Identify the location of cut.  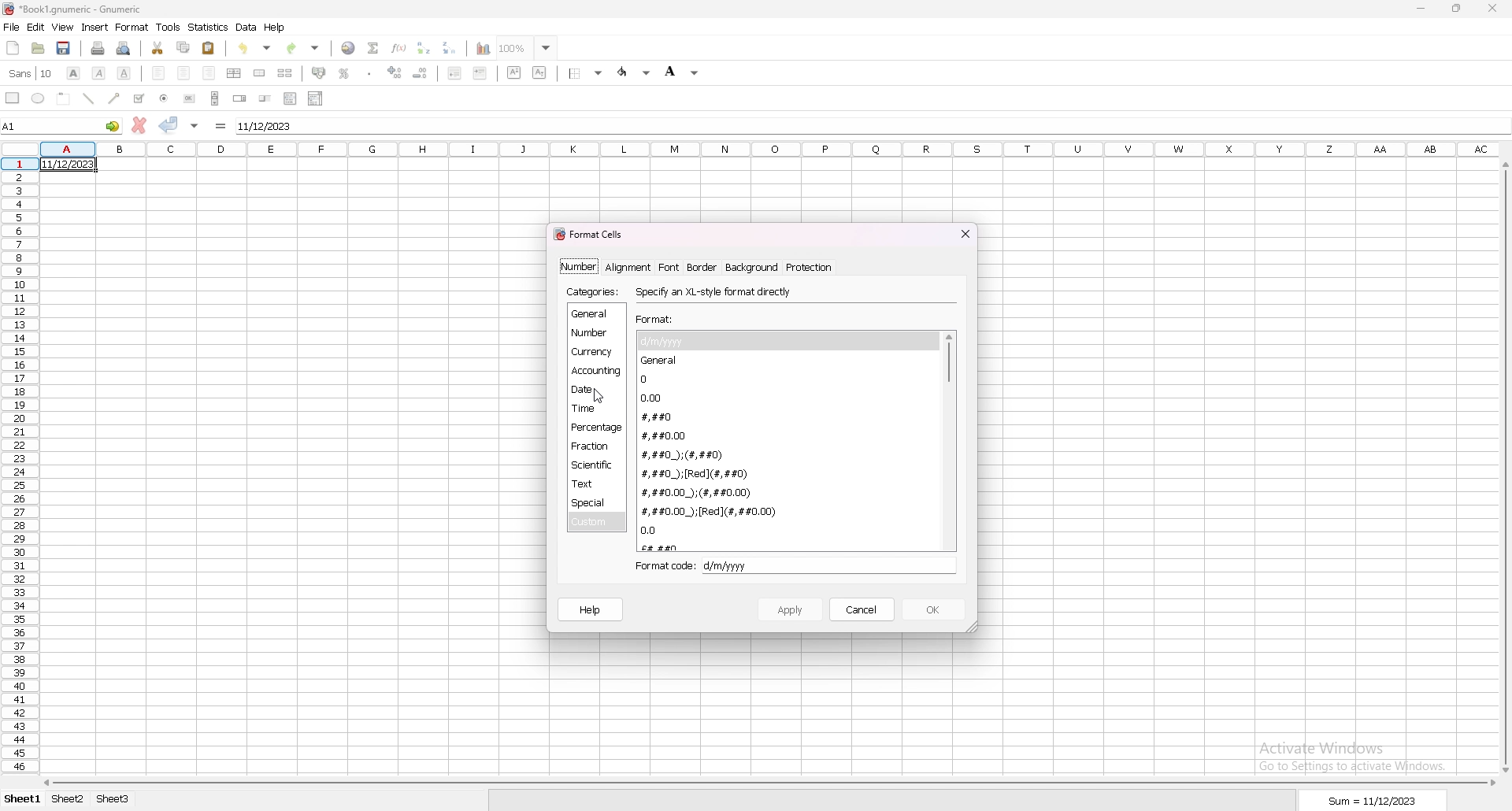
(157, 48).